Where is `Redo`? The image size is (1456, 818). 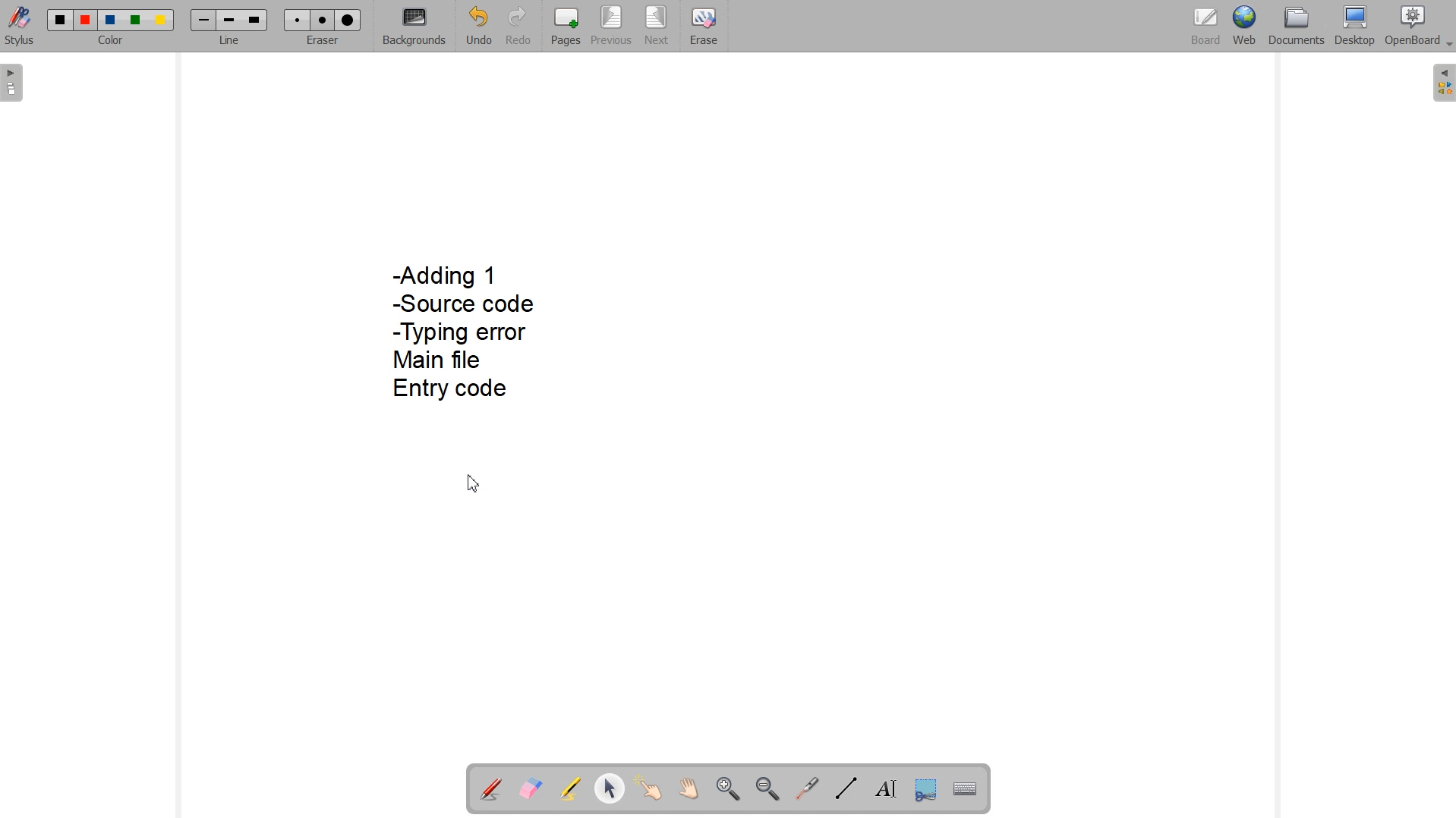
Redo is located at coordinates (516, 25).